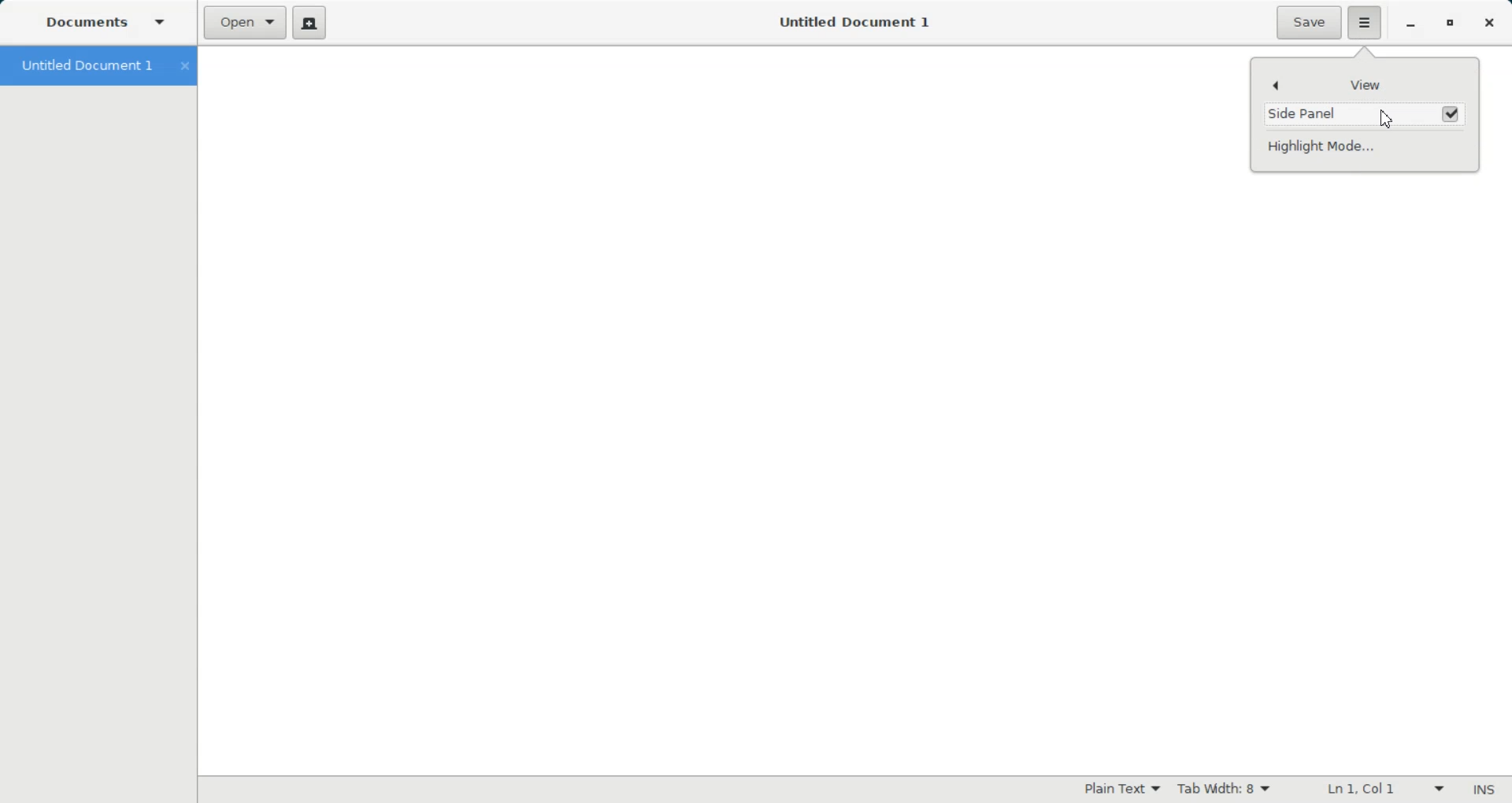 Image resolution: width=1512 pixels, height=803 pixels. What do you see at coordinates (310, 21) in the screenshot?
I see `Create a new document` at bounding box center [310, 21].